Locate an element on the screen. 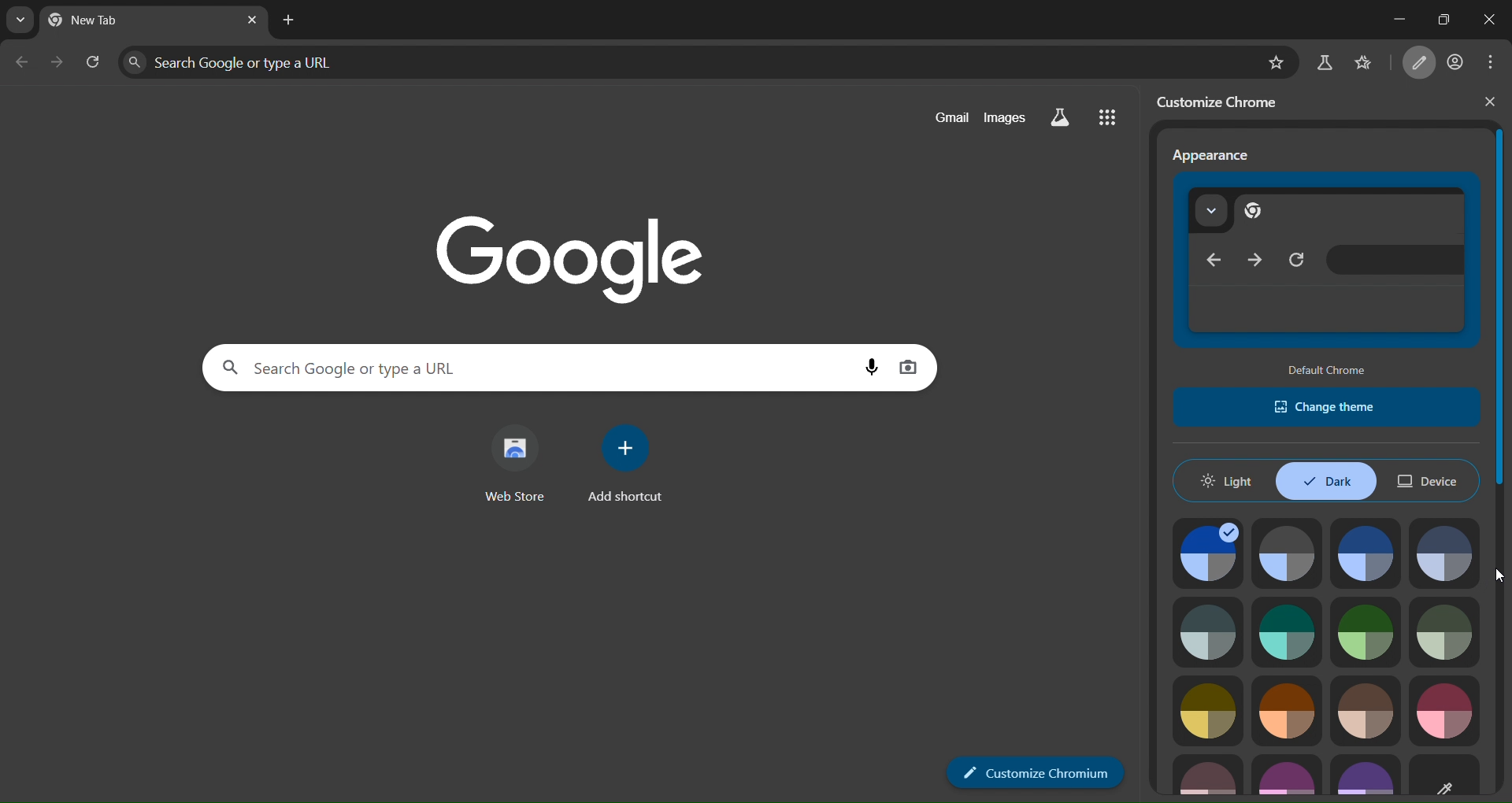 This screenshot has height=803, width=1512. customize chrome is located at coordinates (1422, 63).